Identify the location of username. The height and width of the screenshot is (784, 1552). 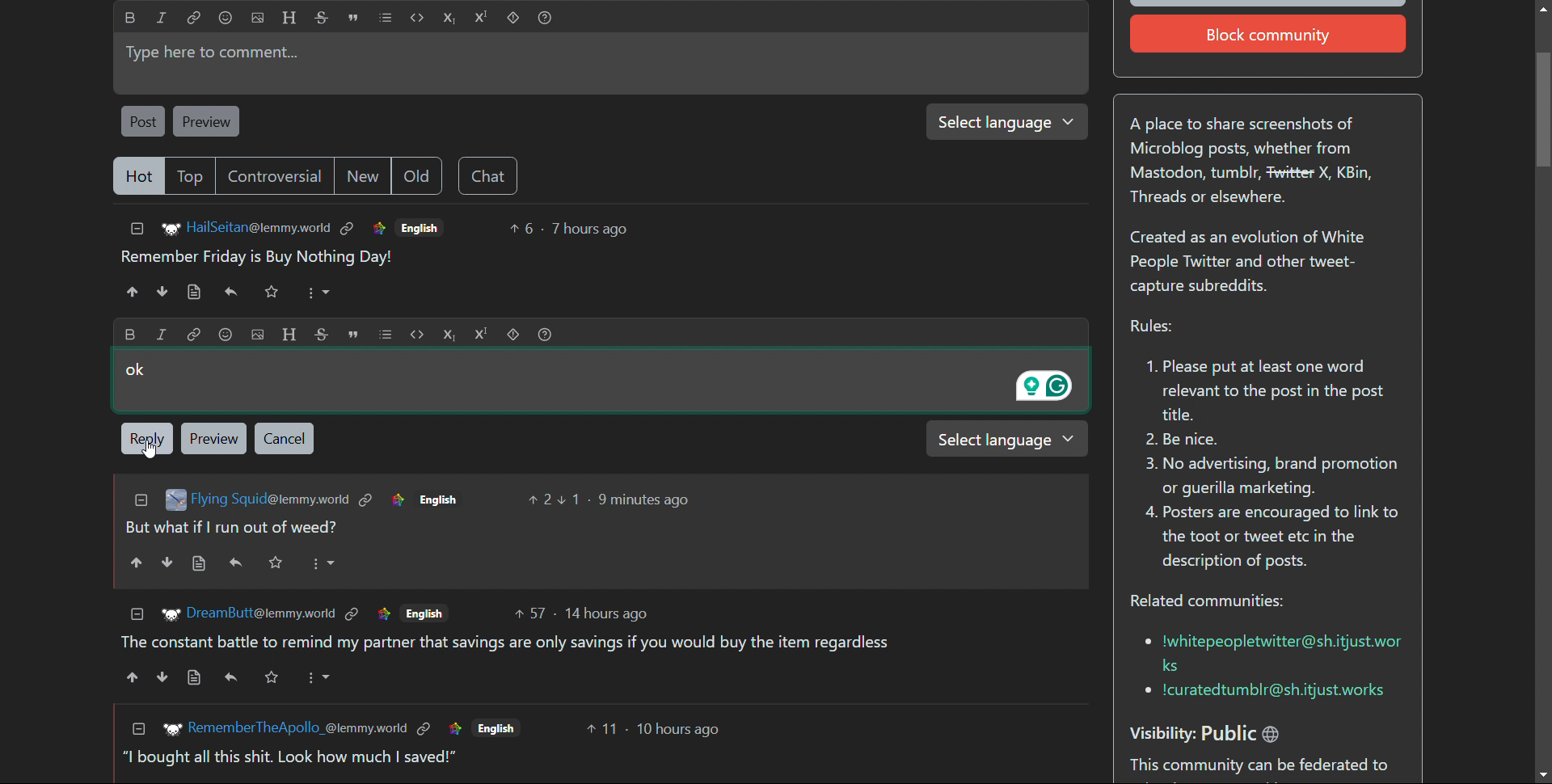
(263, 613).